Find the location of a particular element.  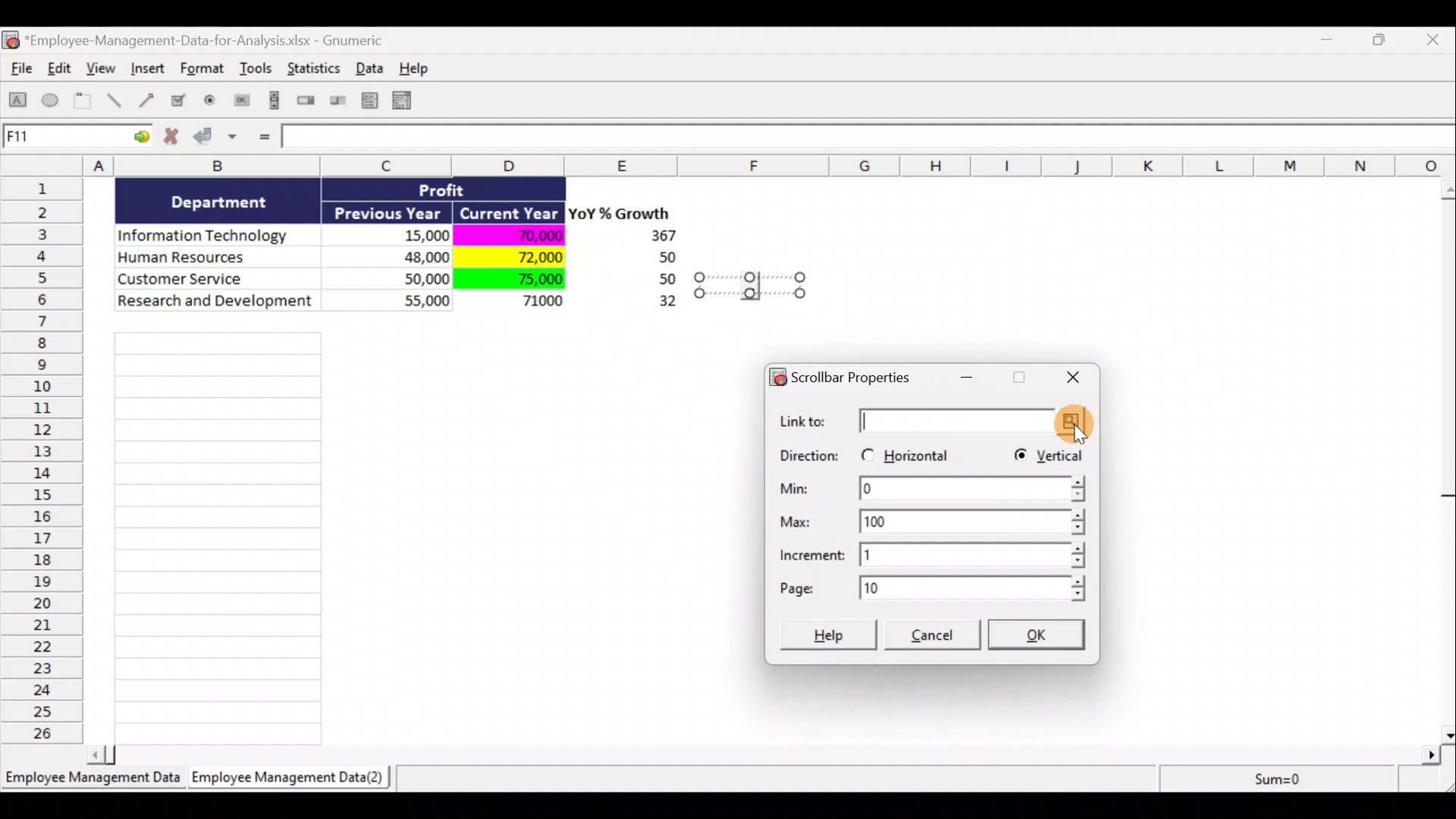

Cell allocation is located at coordinates (77, 139).